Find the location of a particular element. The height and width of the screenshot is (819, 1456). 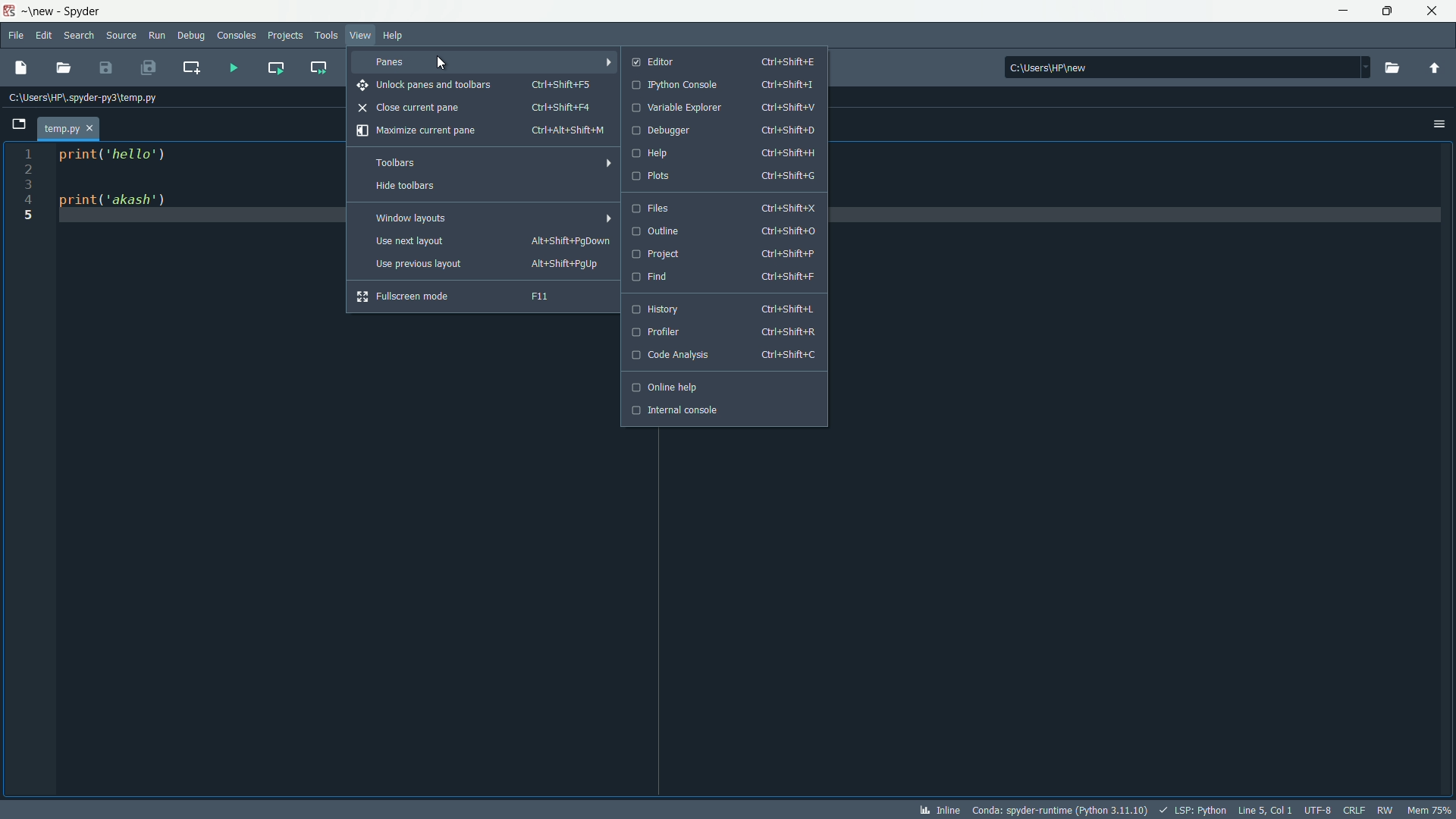

save file is located at coordinates (105, 68).